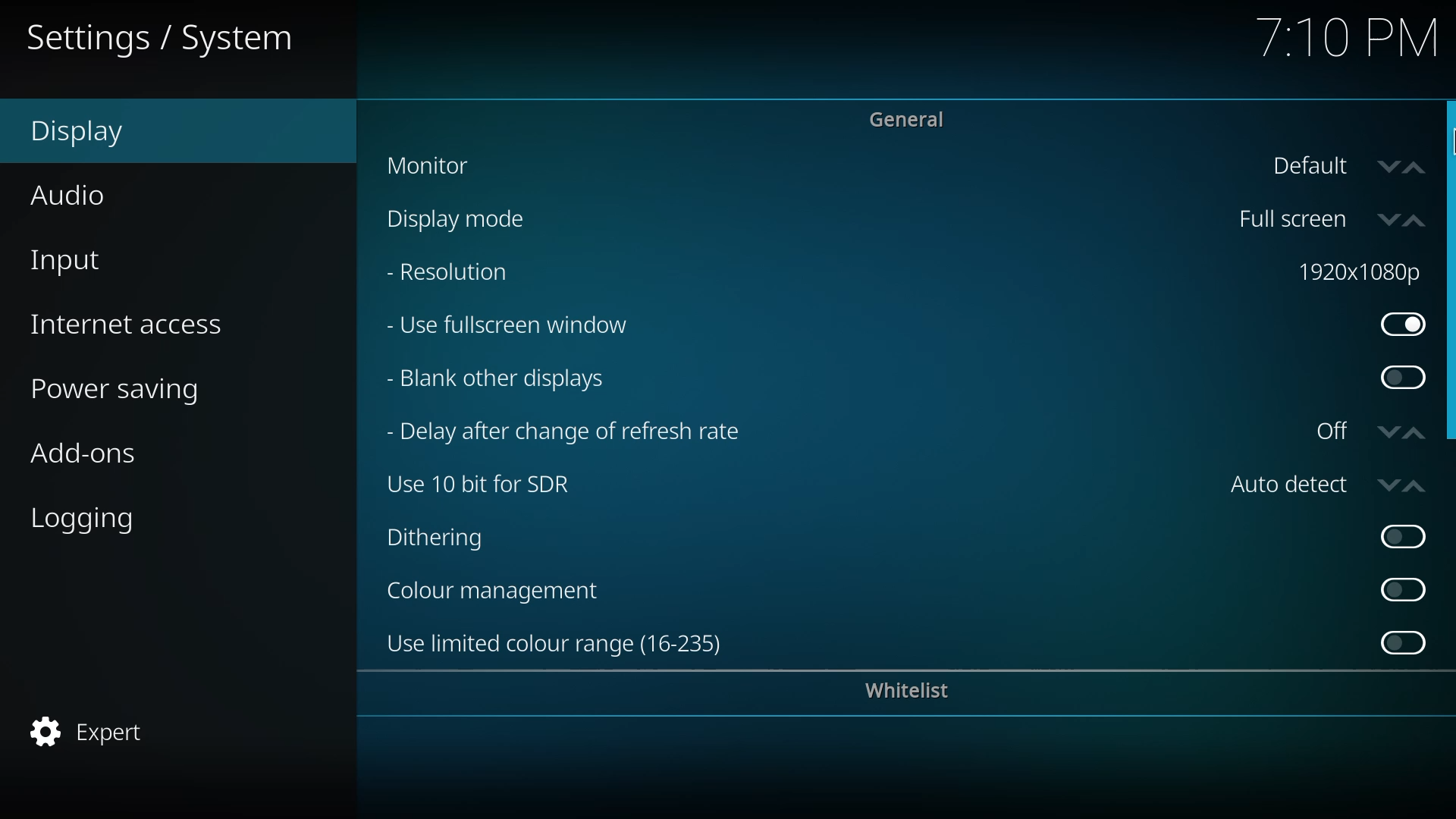 The image size is (1456, 819). Describe the element at coordinates (1402, 375) in the screenshot. I see `enable` at that location.